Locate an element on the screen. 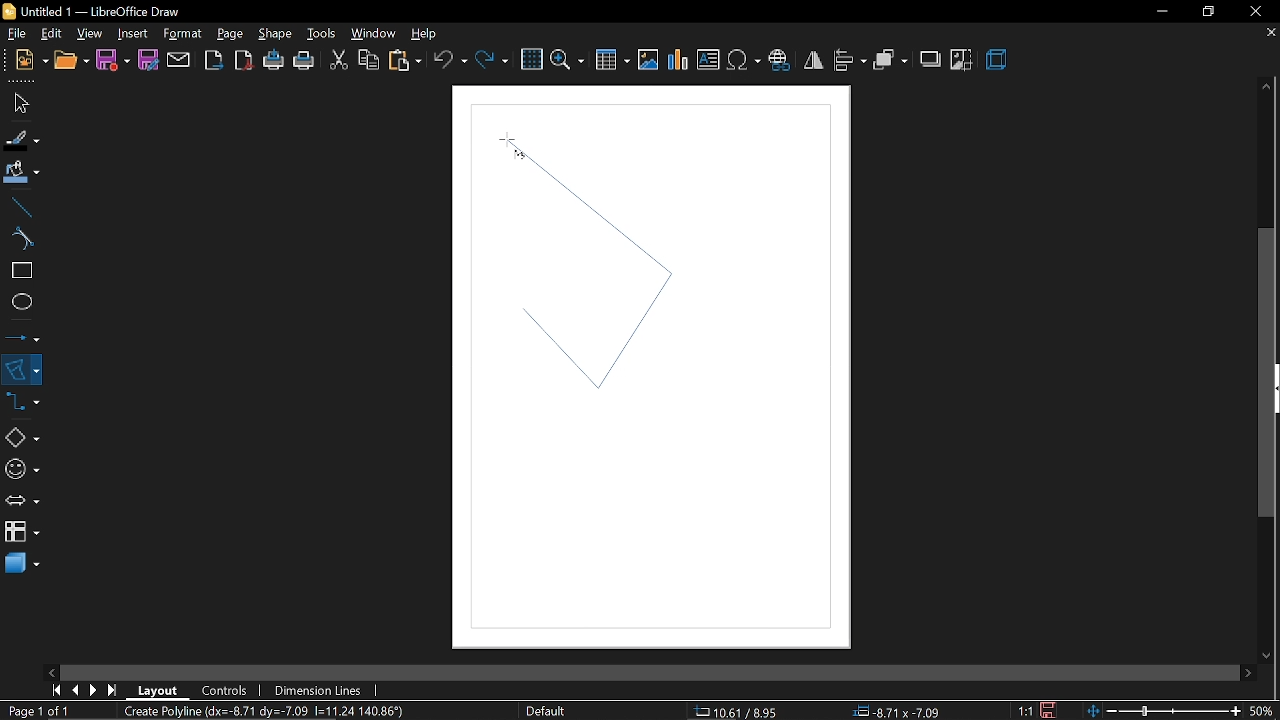  cut  is located at coordinates (338, 58).